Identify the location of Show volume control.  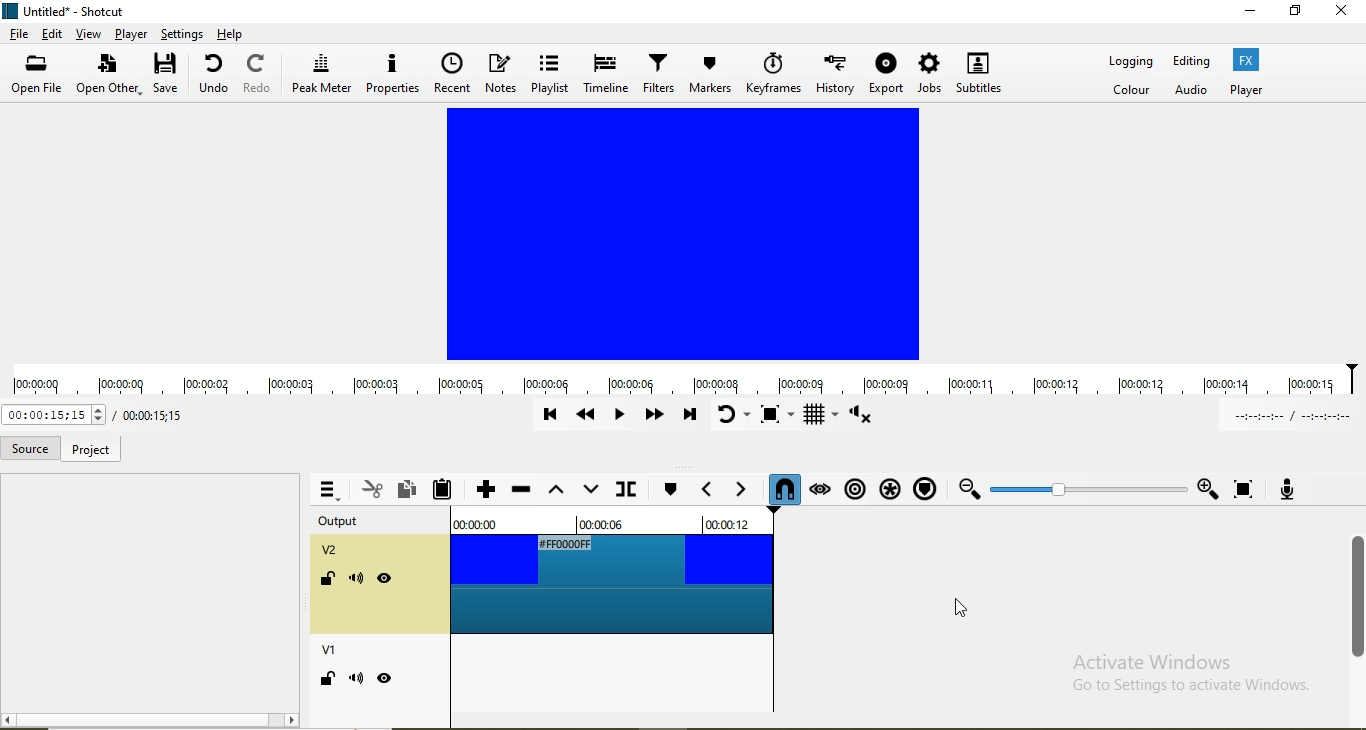
(864, 418).